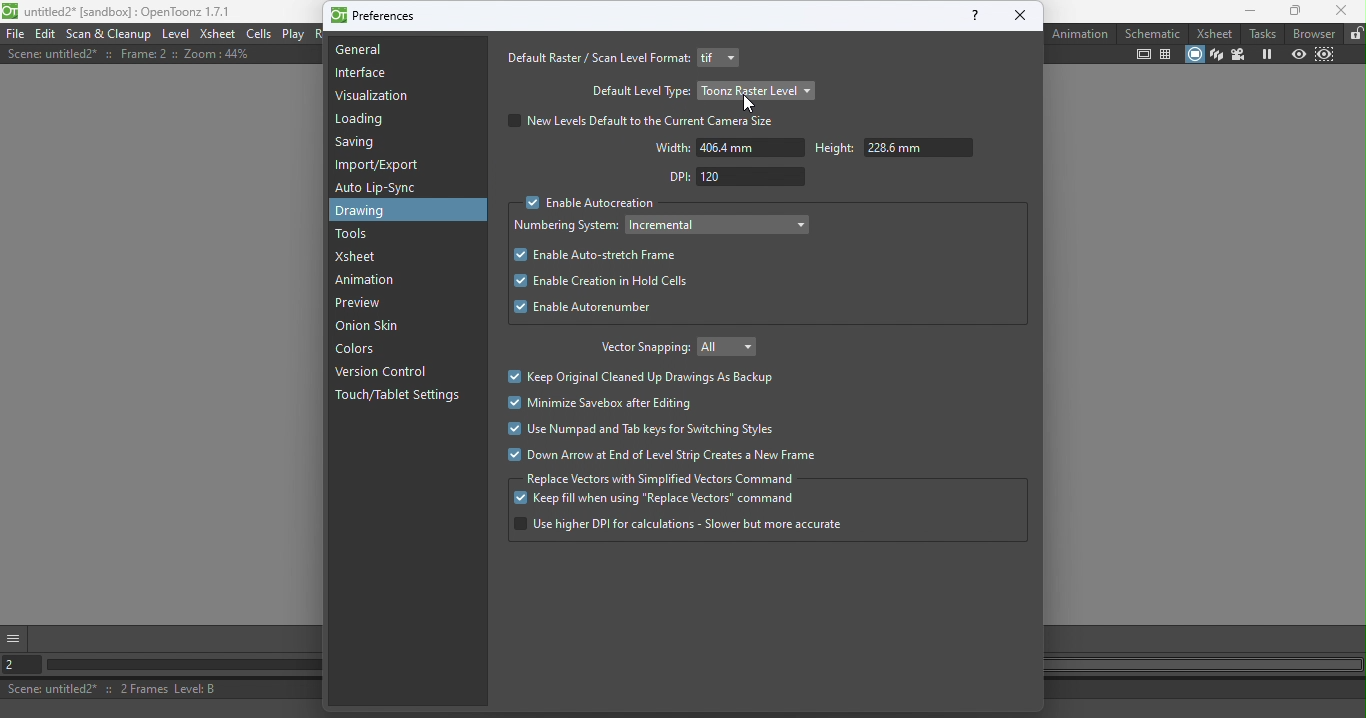  What do you see at coordinates (1021, 15) in the screenshot?
I see `close` at bounding box center [1021, 15].